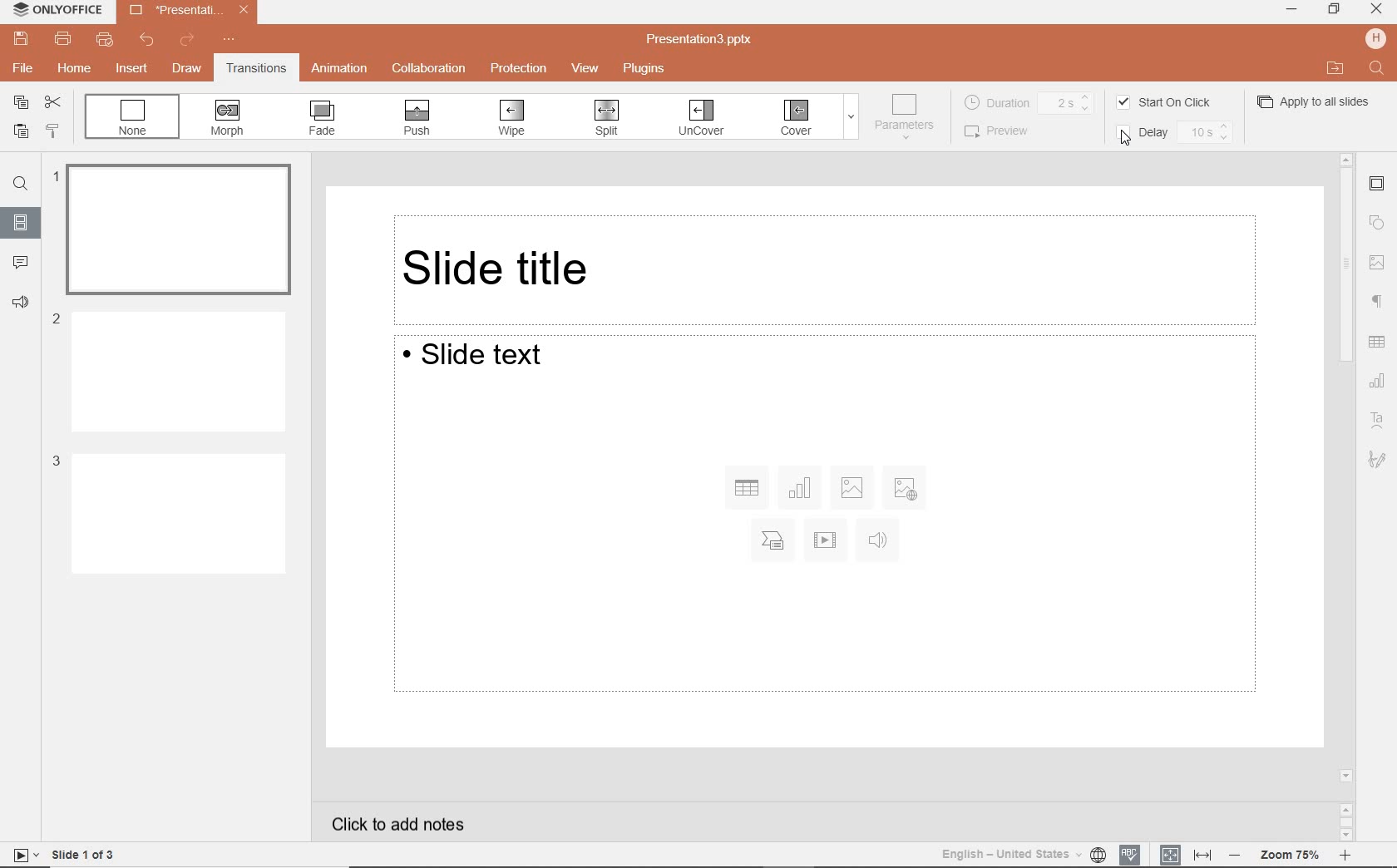 The width and height of the screenshot is (1397, 868). Describe the element at coordinates (228, 118) in the screenshot. I see `MORPH` at that location.